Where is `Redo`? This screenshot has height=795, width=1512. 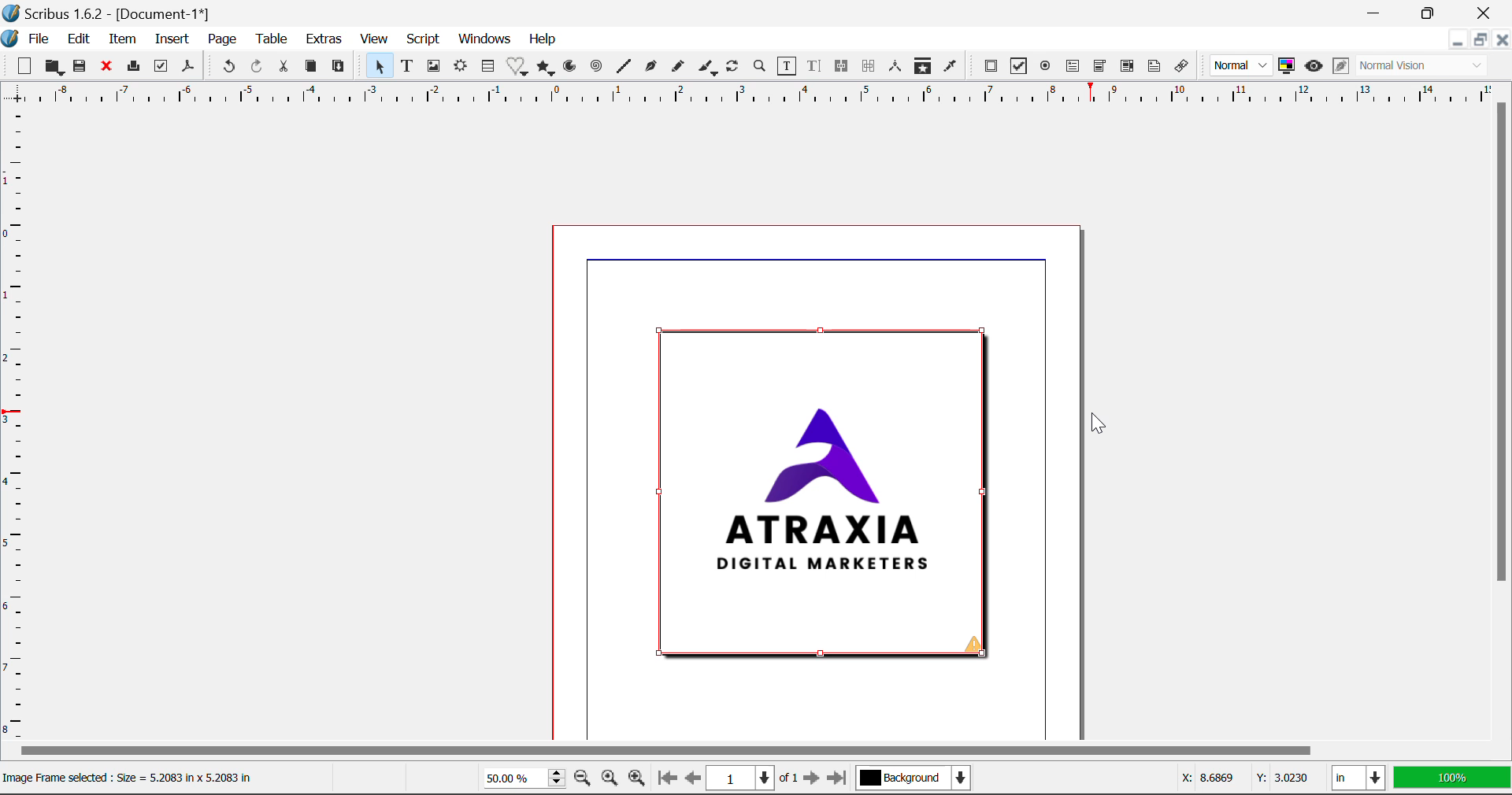 Redo is located at coordinates (258, 68).